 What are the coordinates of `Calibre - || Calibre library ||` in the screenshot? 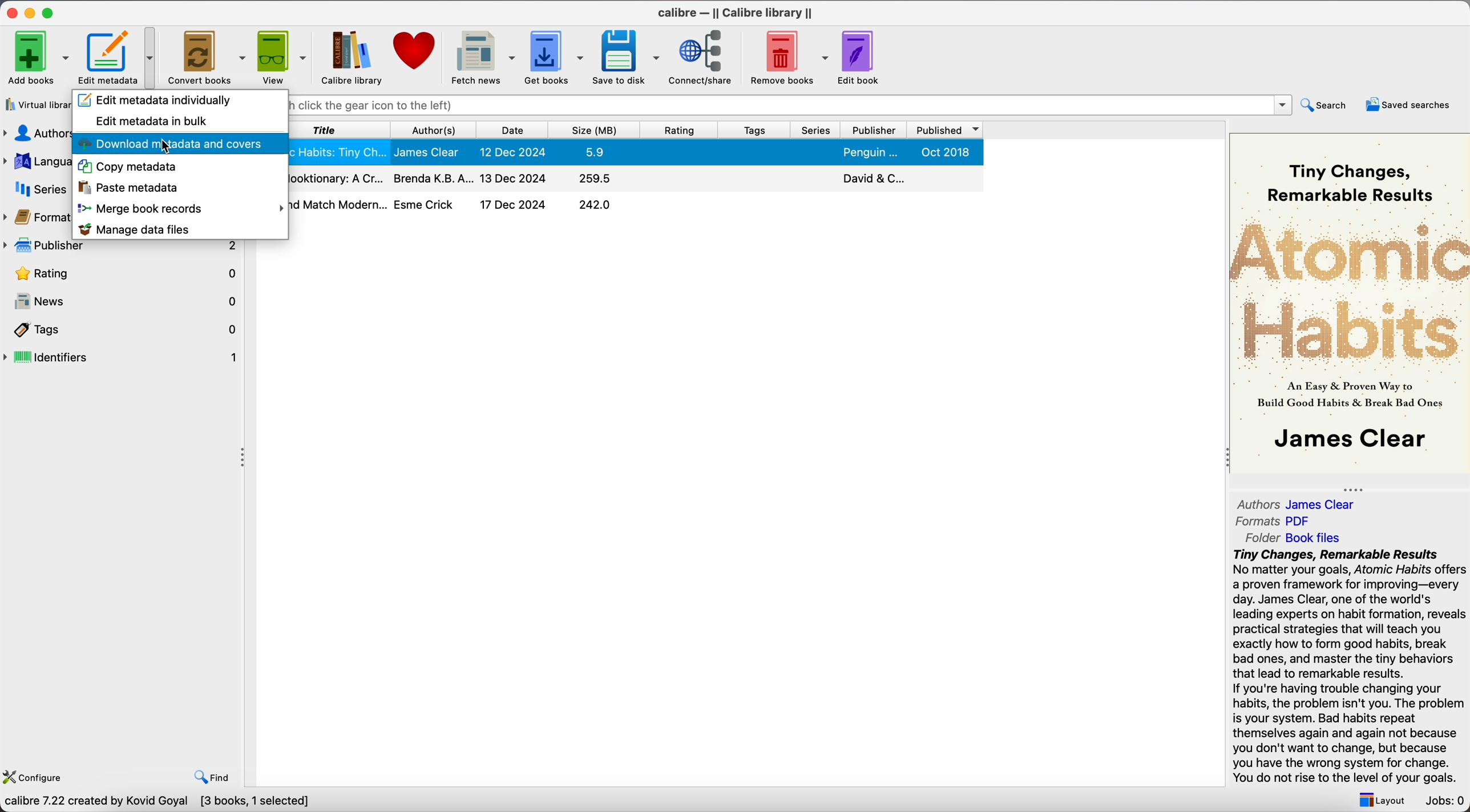 It's located at (732, 14).